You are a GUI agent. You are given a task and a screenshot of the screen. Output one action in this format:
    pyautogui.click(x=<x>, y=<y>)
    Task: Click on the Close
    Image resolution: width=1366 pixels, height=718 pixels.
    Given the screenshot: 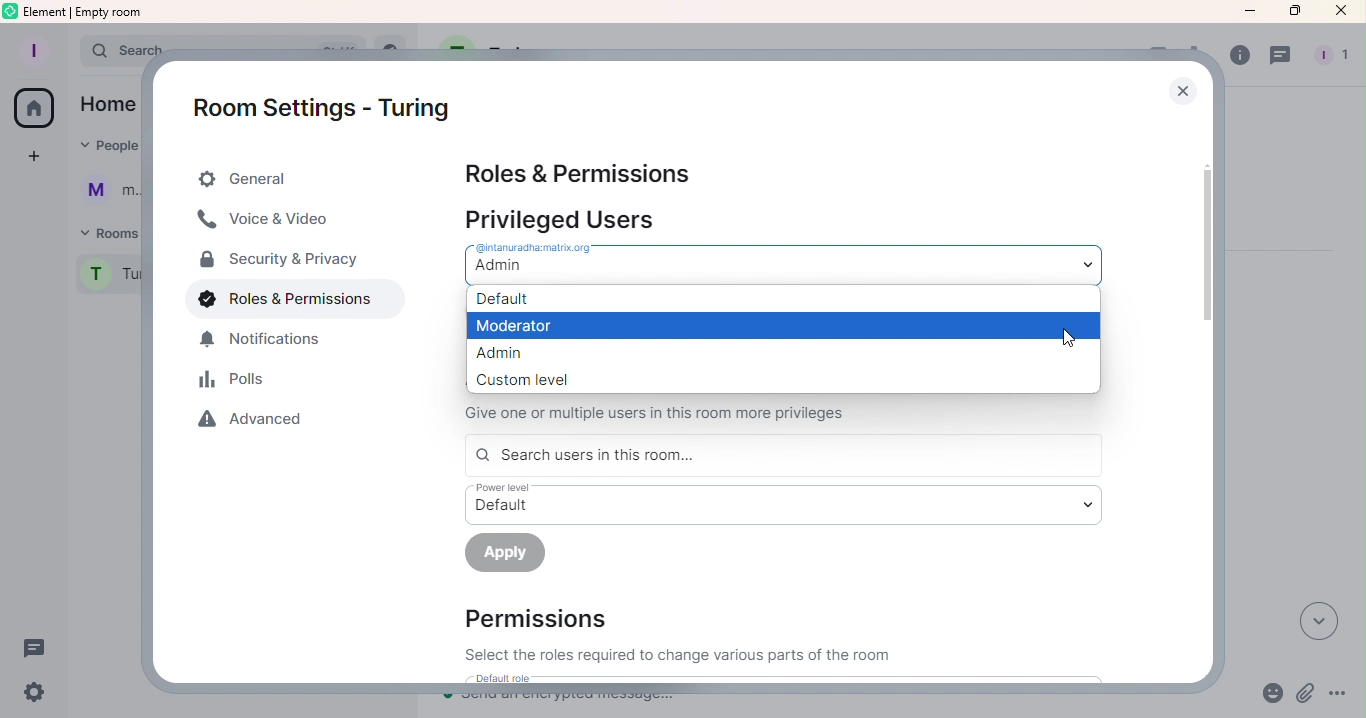 What is the action you would take?
    pyautogui.click(x=1337, y=11)
    